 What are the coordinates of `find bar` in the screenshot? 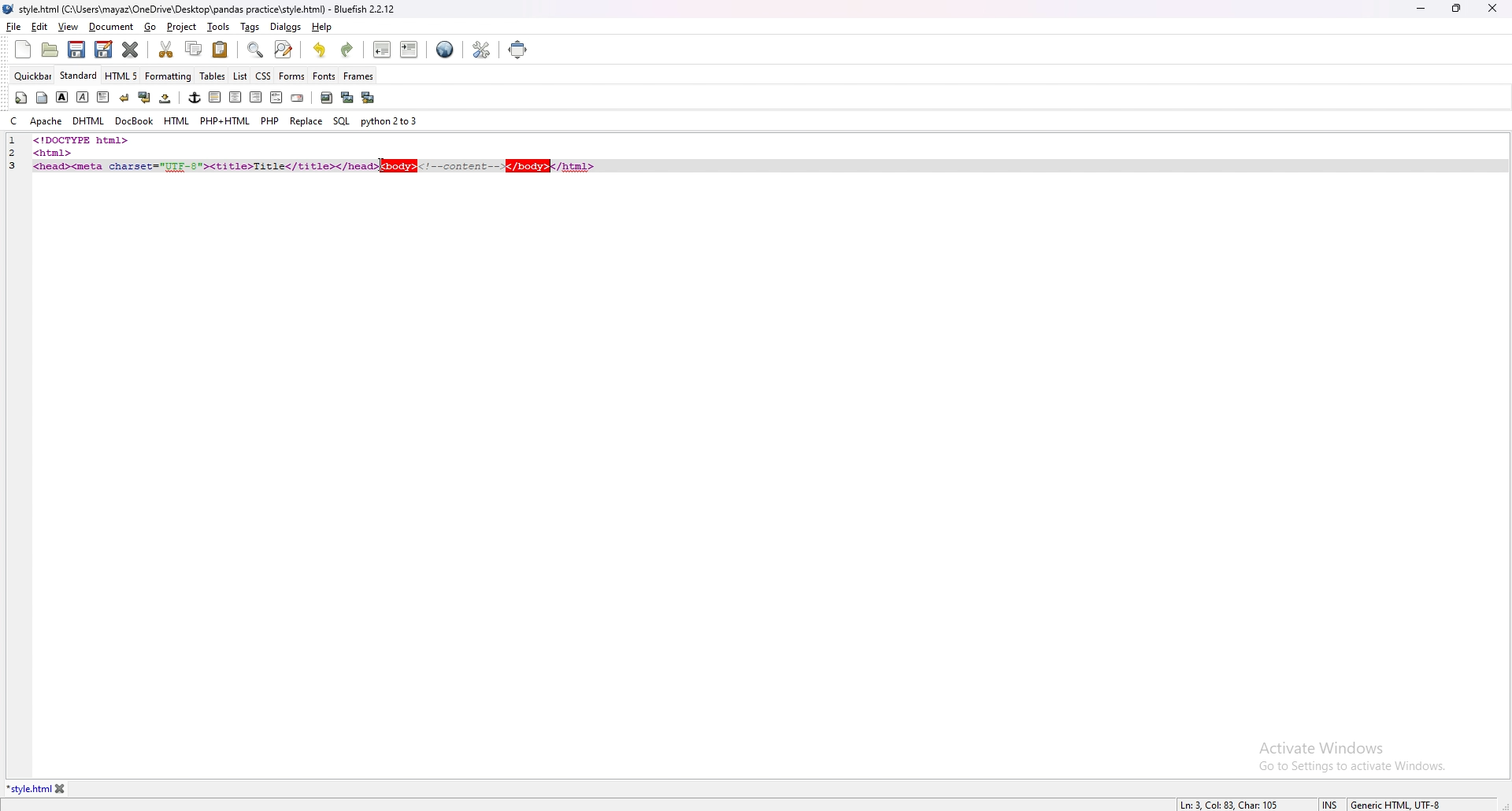 It's located at (256, 50).